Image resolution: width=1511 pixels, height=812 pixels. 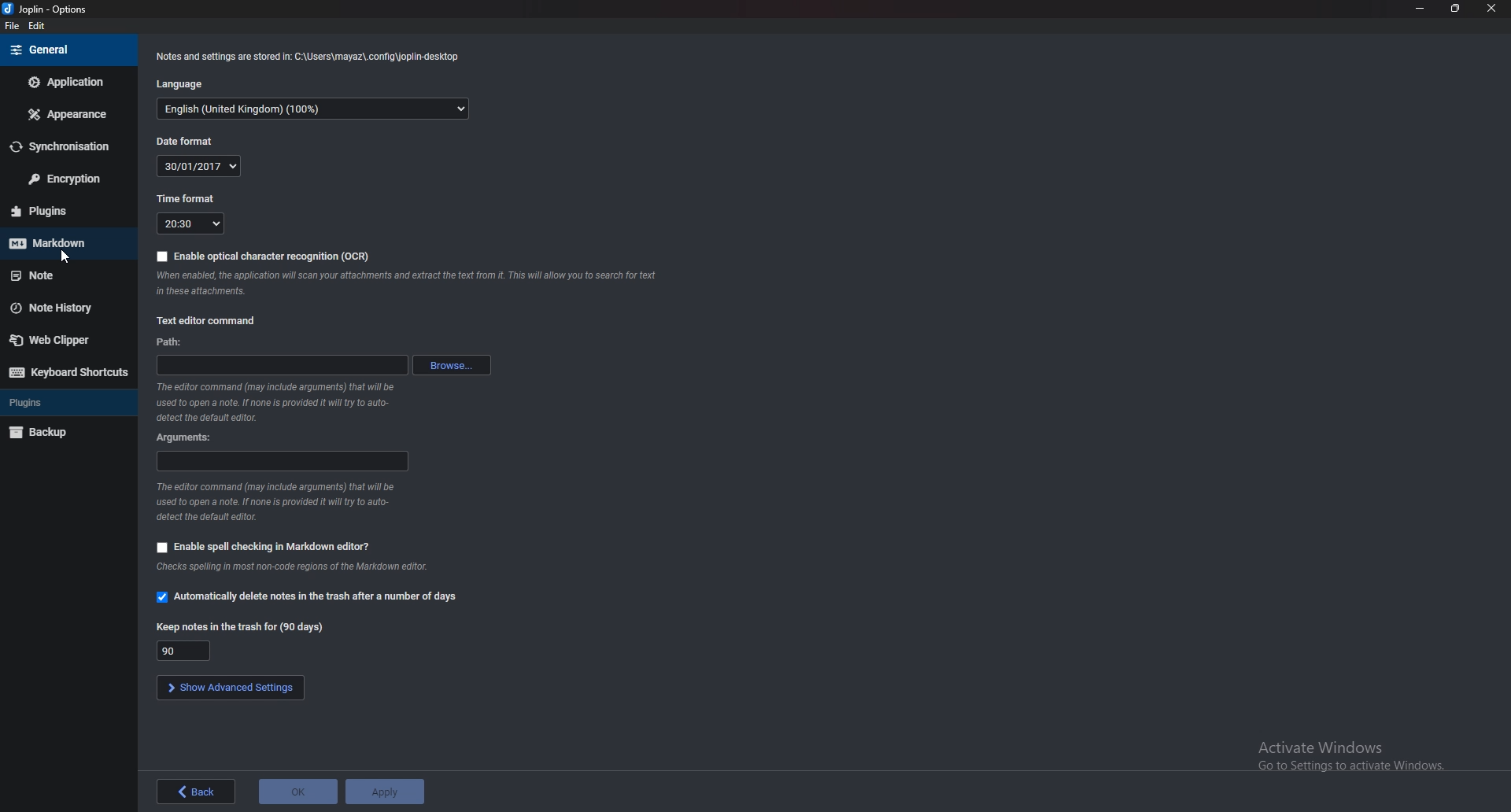 I want to click on browse, so click(x=456, y=365).